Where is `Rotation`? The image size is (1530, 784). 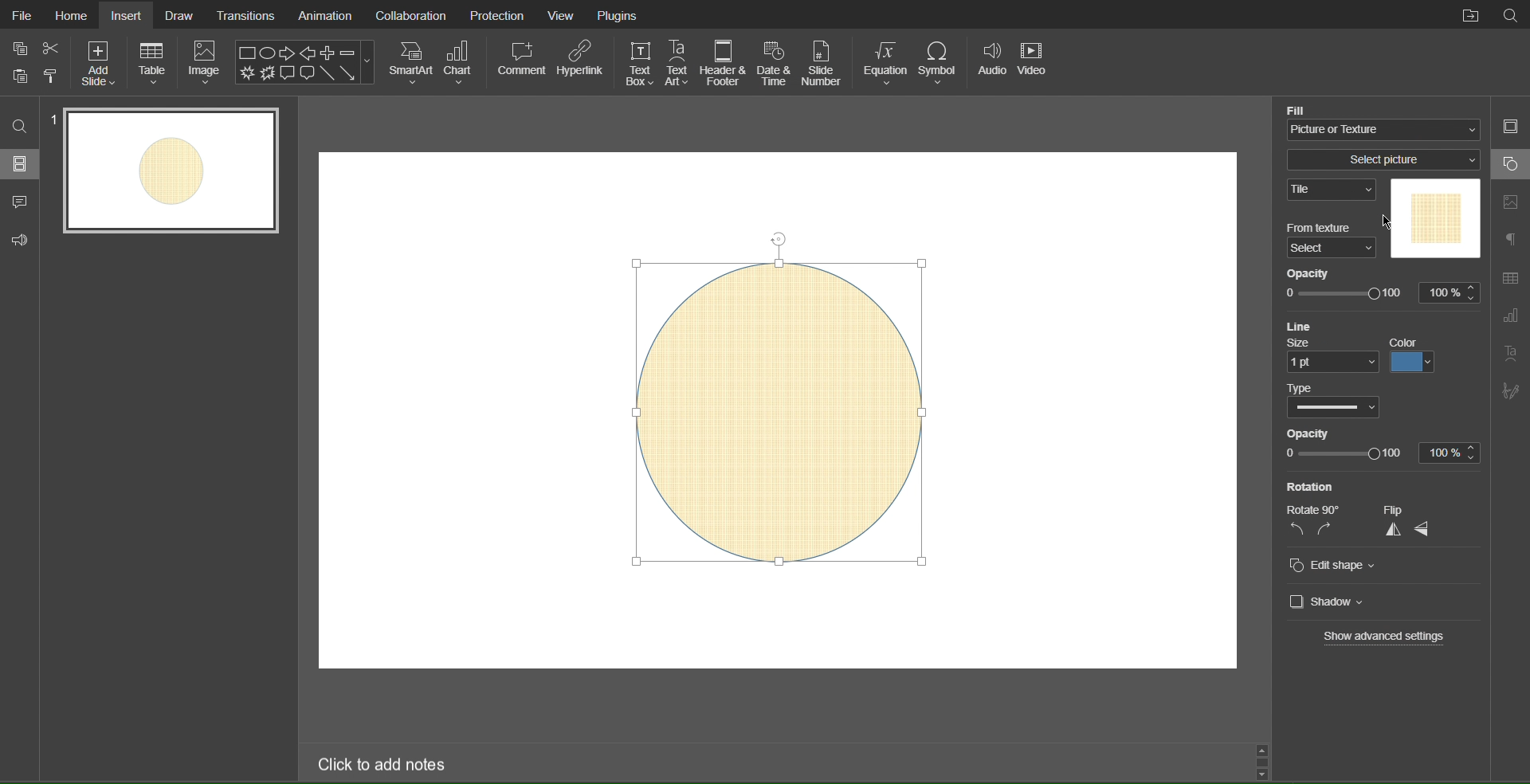
Rotation is located at coordinates (1316, 487).